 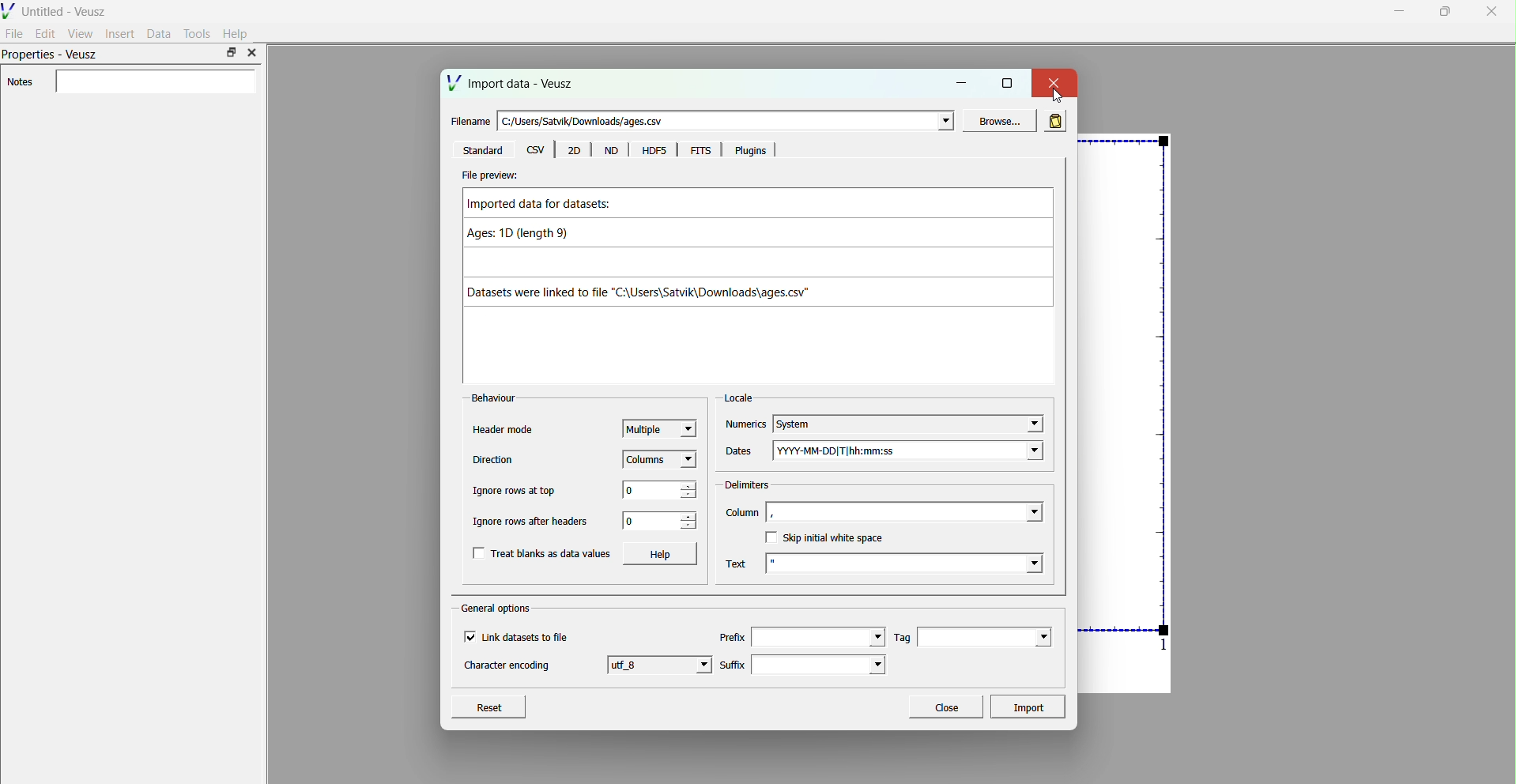 What do you see at coordinates (507, 666) in the screenshot?
I see `Character encoding` at bounding box center [507, 666].